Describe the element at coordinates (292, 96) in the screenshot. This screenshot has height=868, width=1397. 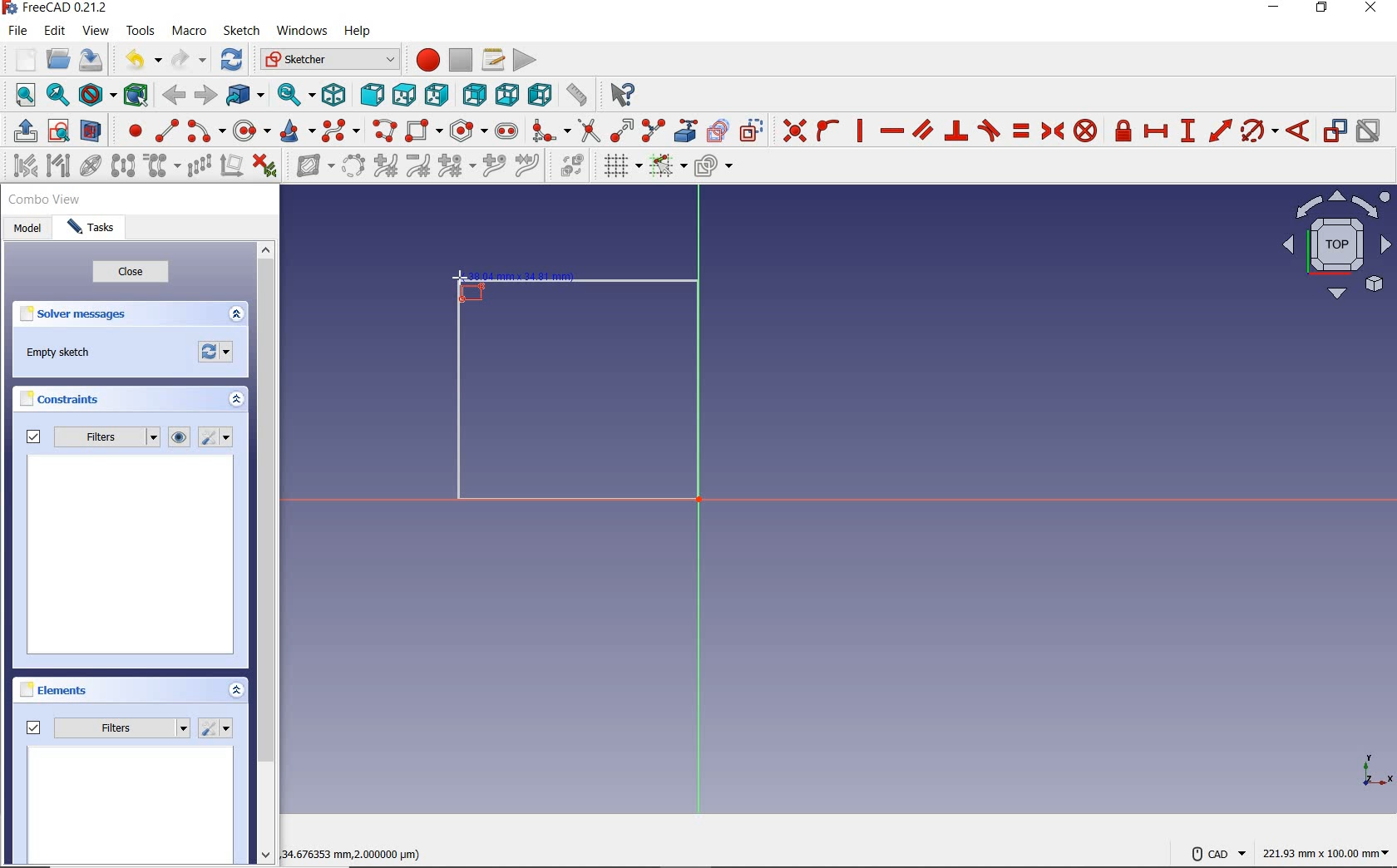
I see `sync view` at that location.